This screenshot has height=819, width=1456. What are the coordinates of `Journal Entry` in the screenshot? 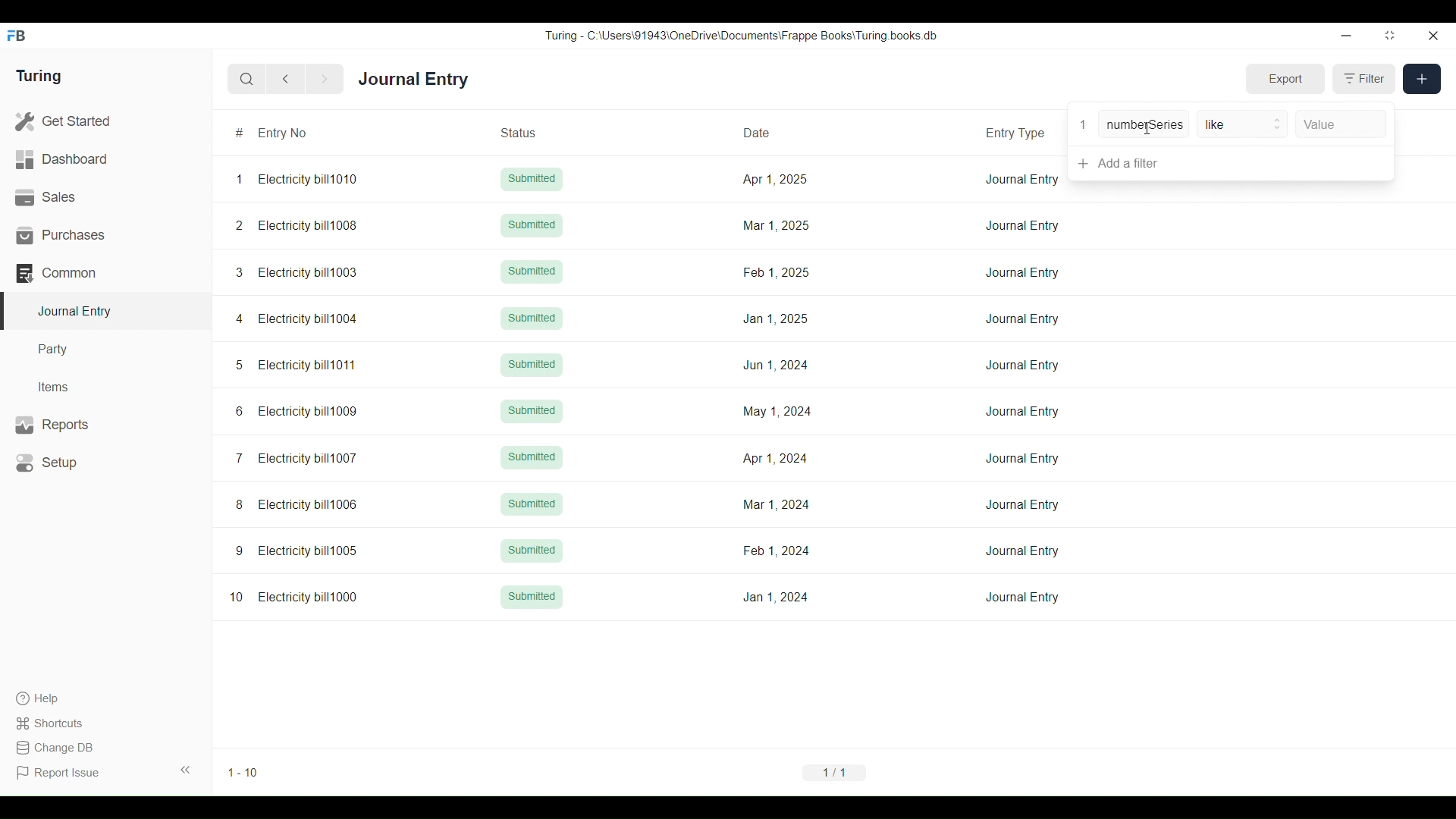 It's located at (1023, 458).